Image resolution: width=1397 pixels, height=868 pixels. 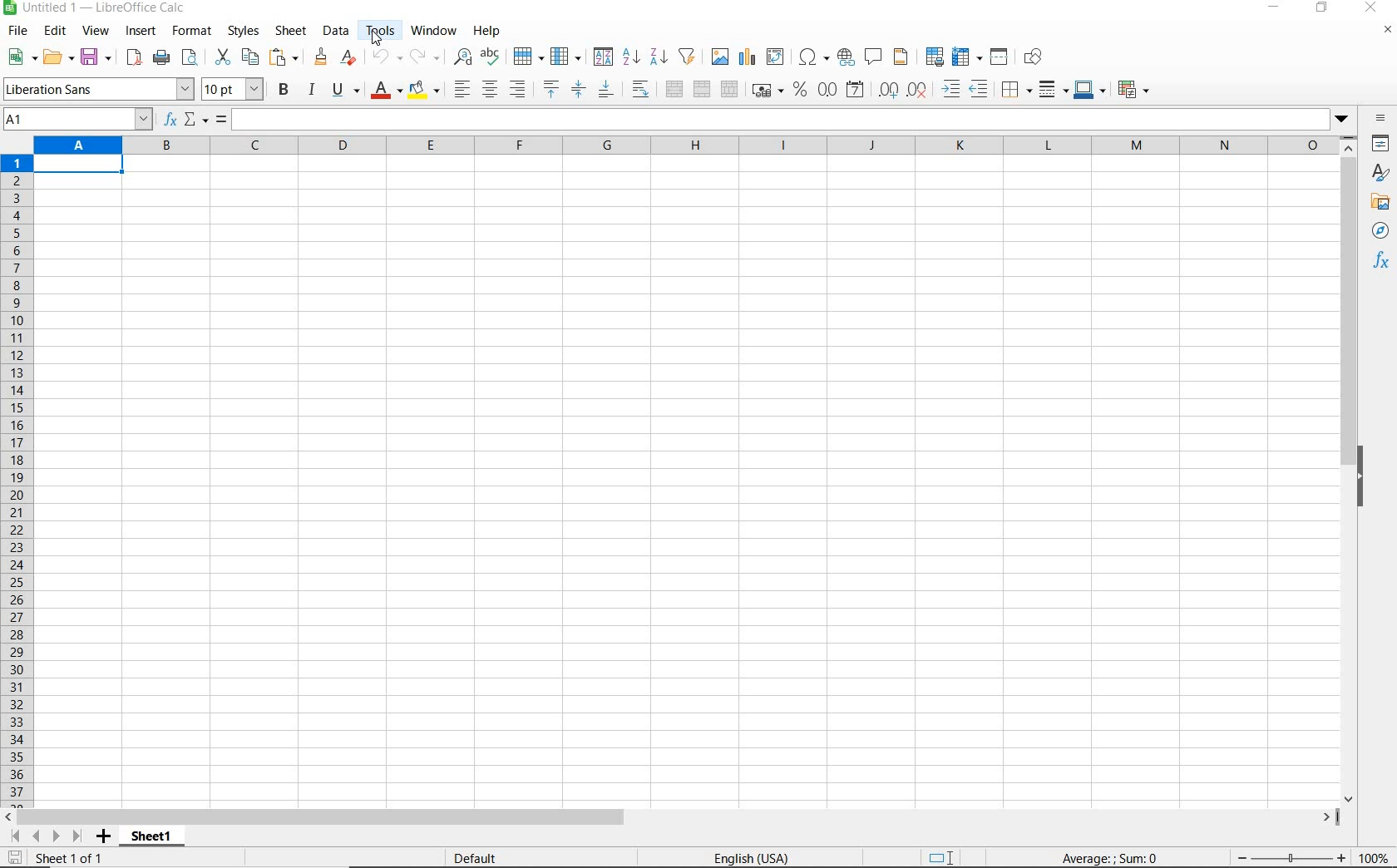 What do you see at coordinates (97, 89) in the screenshot?
I see `font name` at bounding box center [97, 89].